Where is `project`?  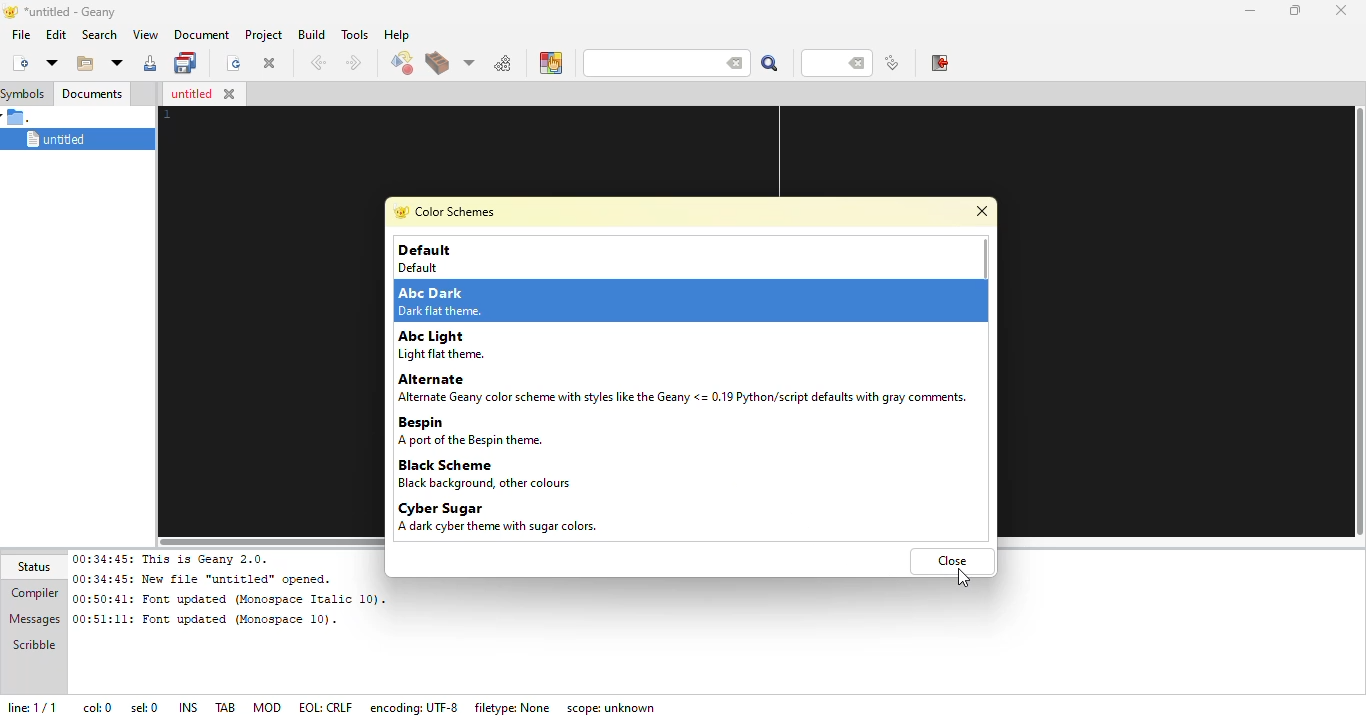
project is located at coordinates (263, 34).